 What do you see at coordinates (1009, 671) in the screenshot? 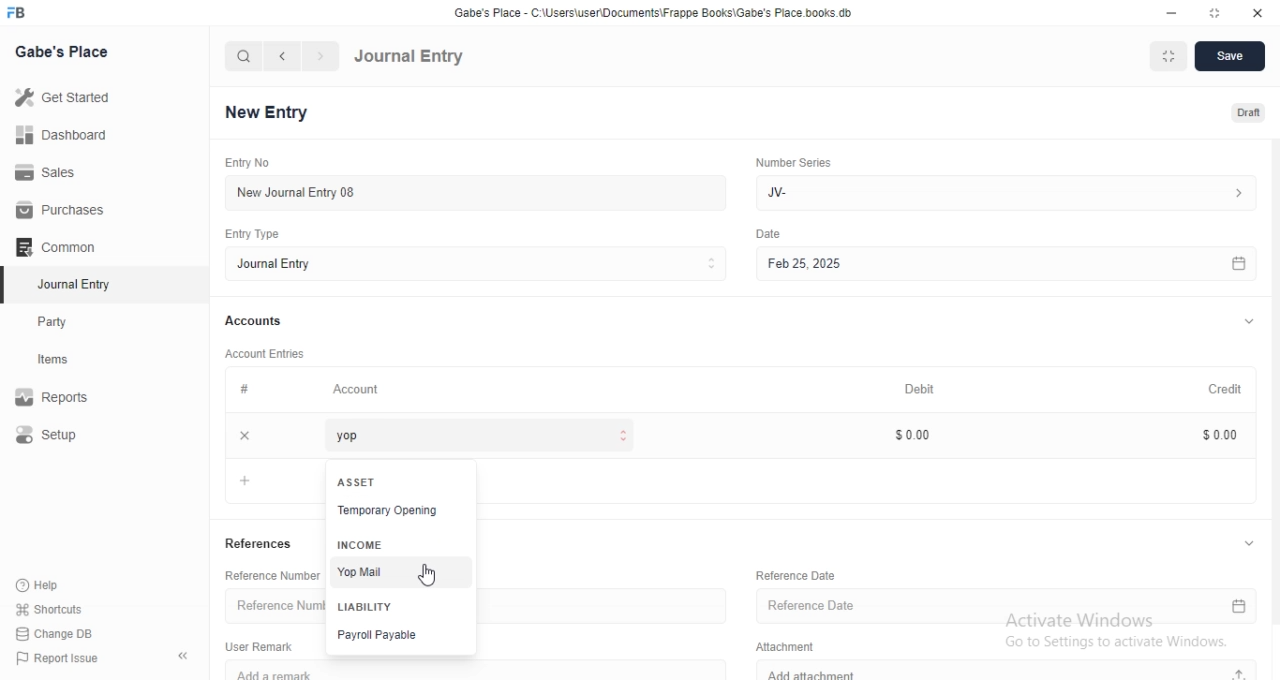
I see `Add attachment` at bounding box center [1009, 671].